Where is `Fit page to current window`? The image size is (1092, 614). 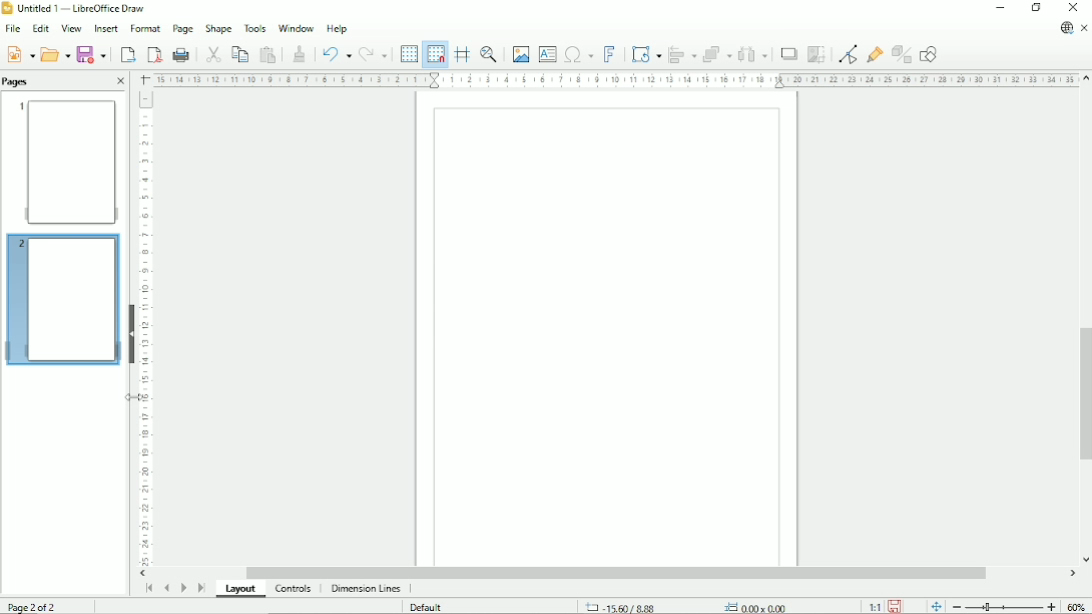
Fit page to current window is located at coordinates (935, 605).